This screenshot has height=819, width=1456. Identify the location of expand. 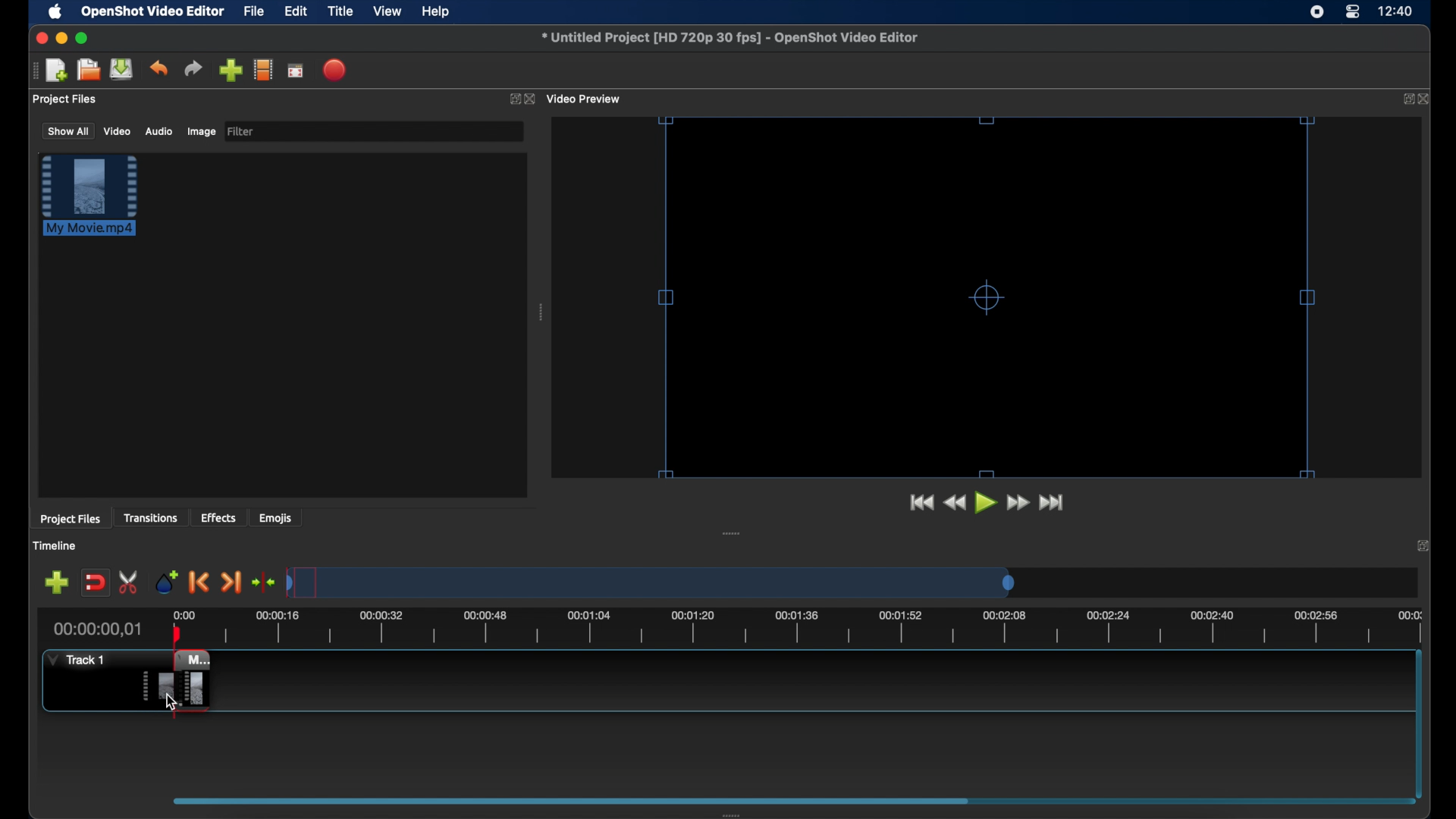
(1423, 546).